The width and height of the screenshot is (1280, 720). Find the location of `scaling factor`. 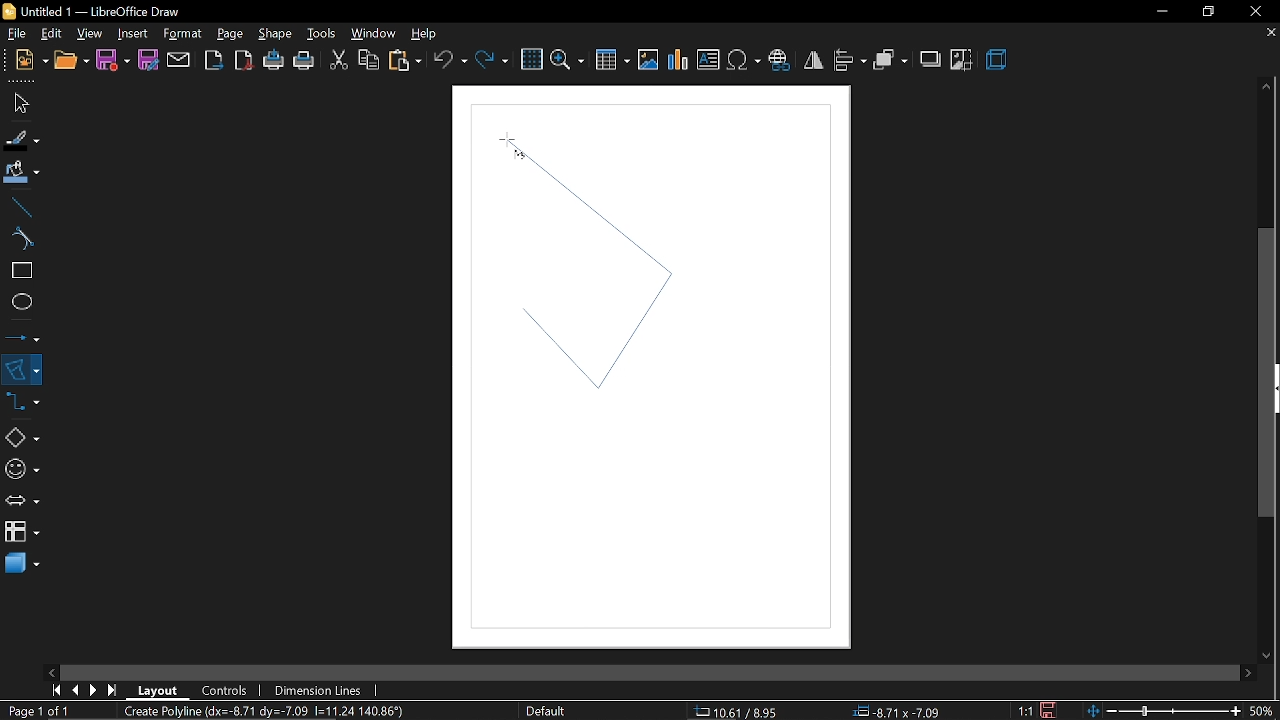

scaling factor is located at coordinates (1030, 710).